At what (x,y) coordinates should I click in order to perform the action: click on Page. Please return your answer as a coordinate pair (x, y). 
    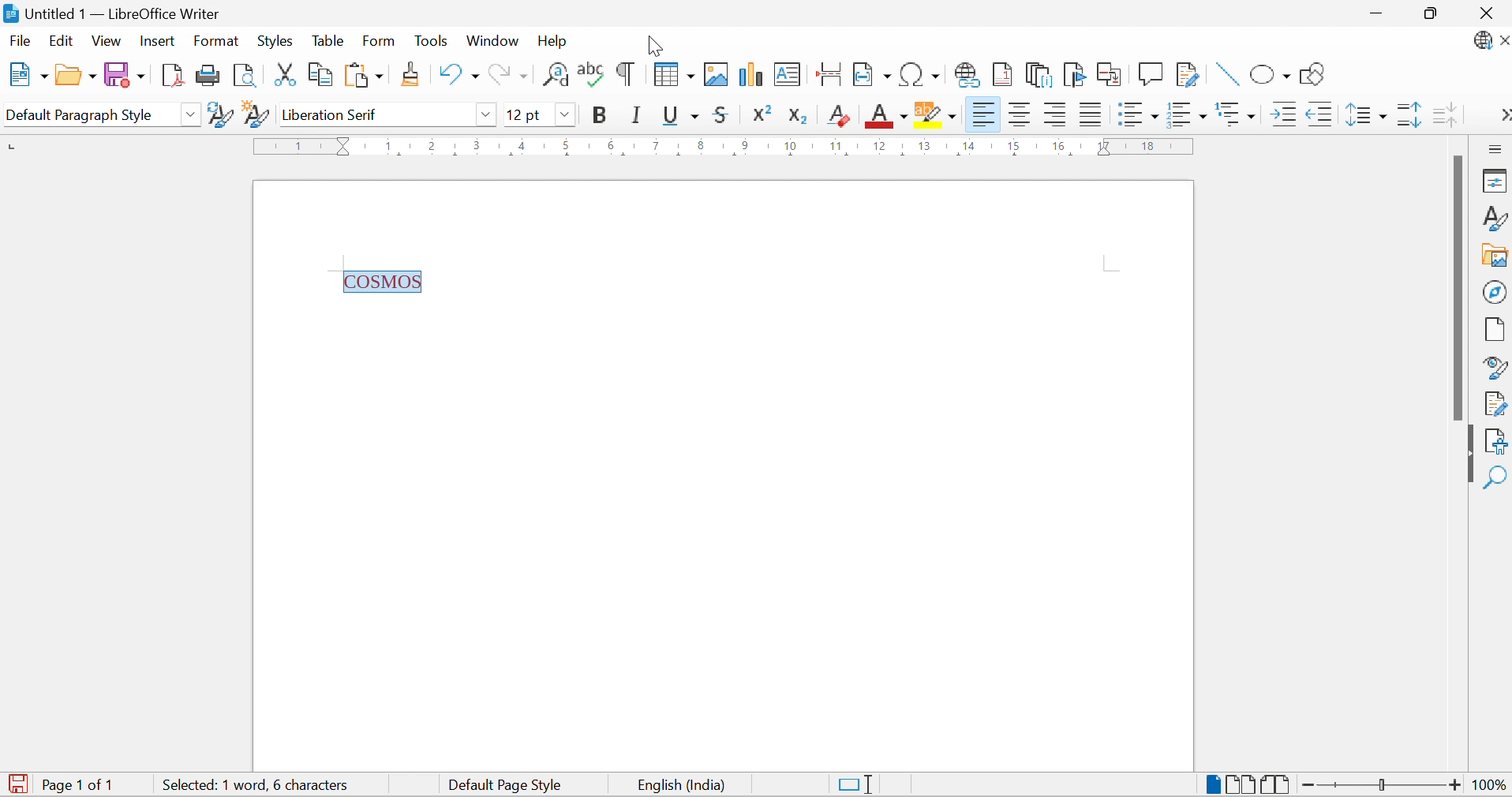
    Looking at the image, I should click on (1496, 330).